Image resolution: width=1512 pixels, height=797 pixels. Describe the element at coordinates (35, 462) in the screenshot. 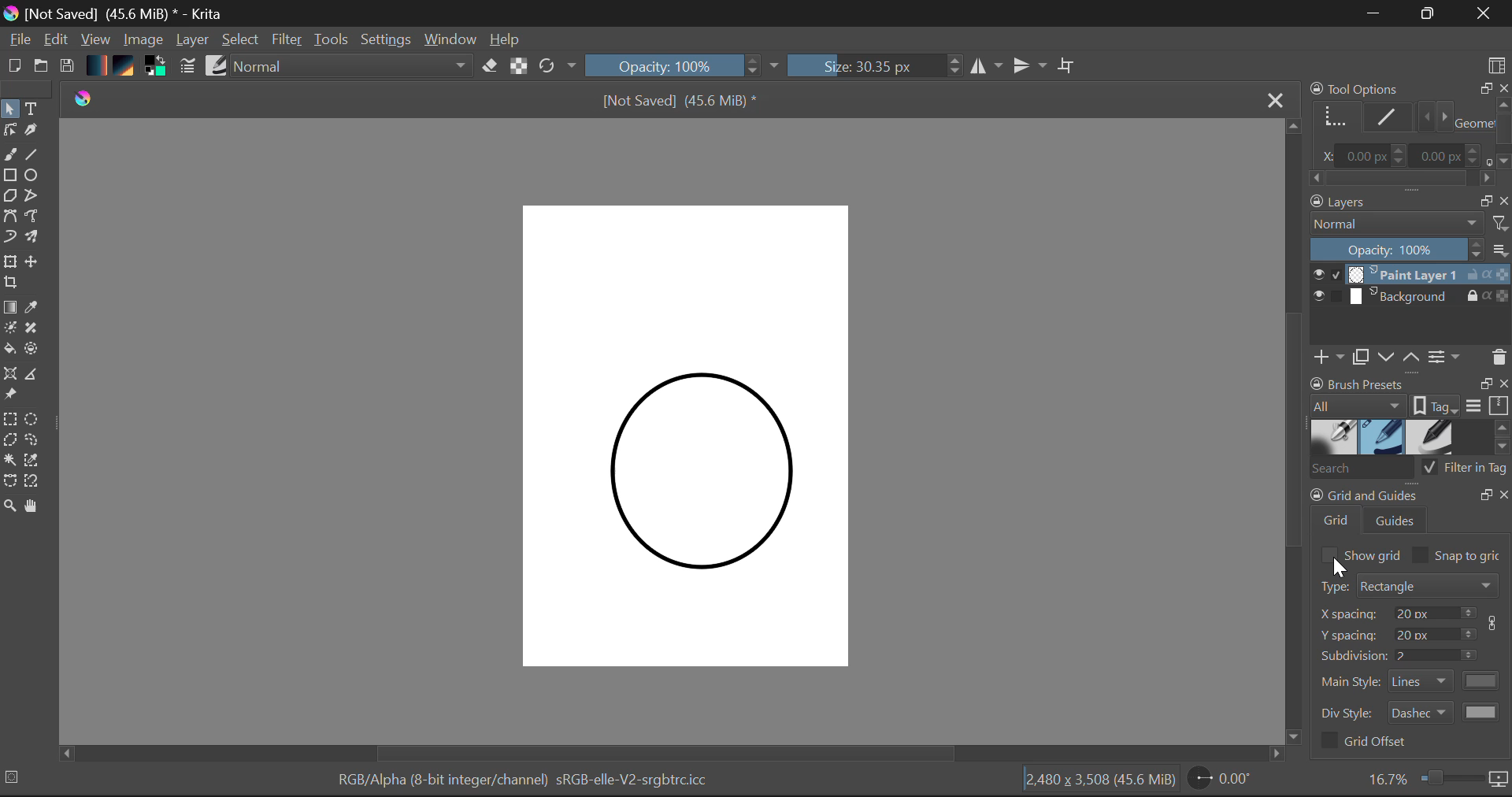

I see `Similar Color Selector` at that location.